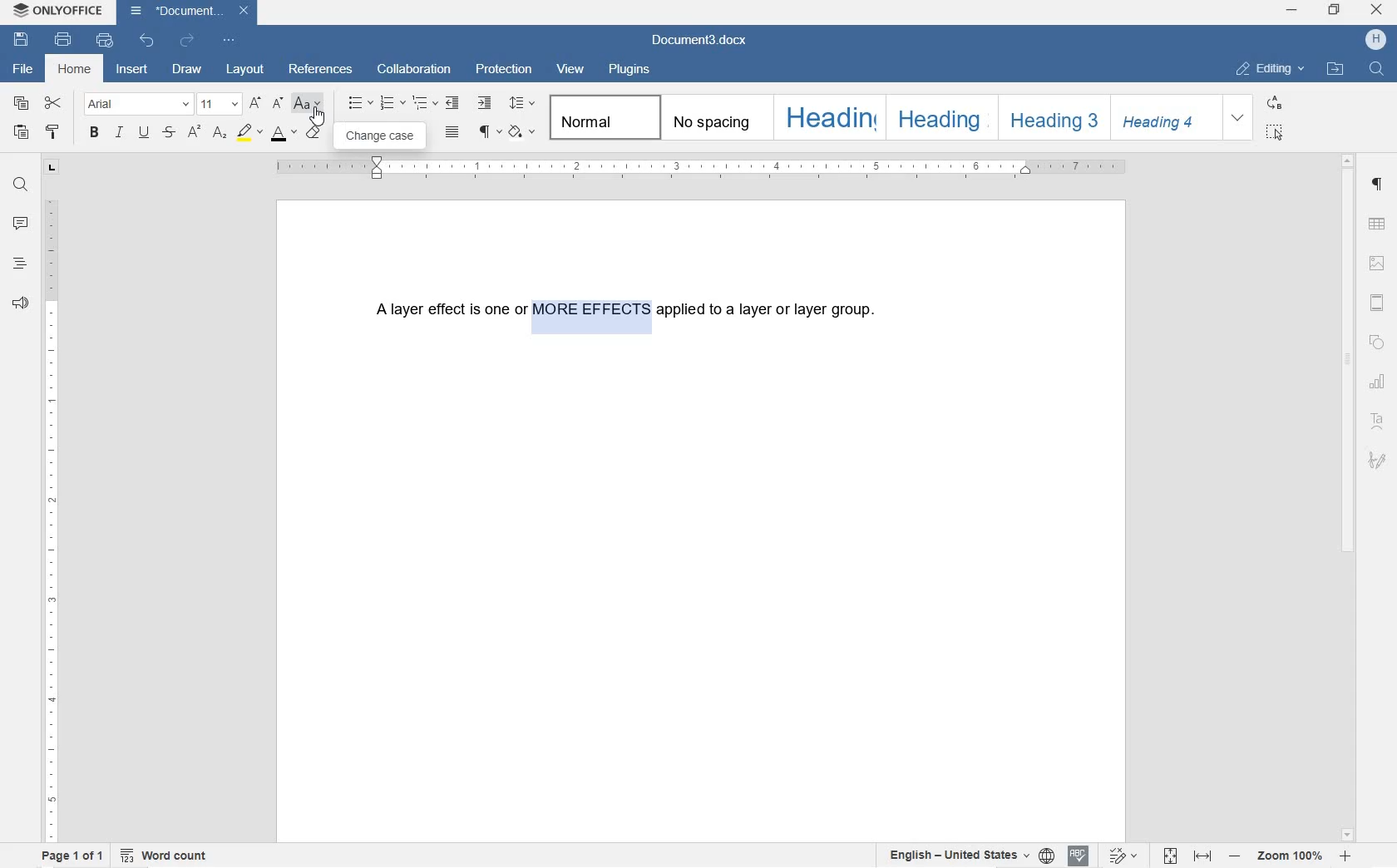 This screenshot has height=868, width=1397. Describe the element at coordinates (164, 856) in the screenshot. I see `WORD COUNT` at that location.